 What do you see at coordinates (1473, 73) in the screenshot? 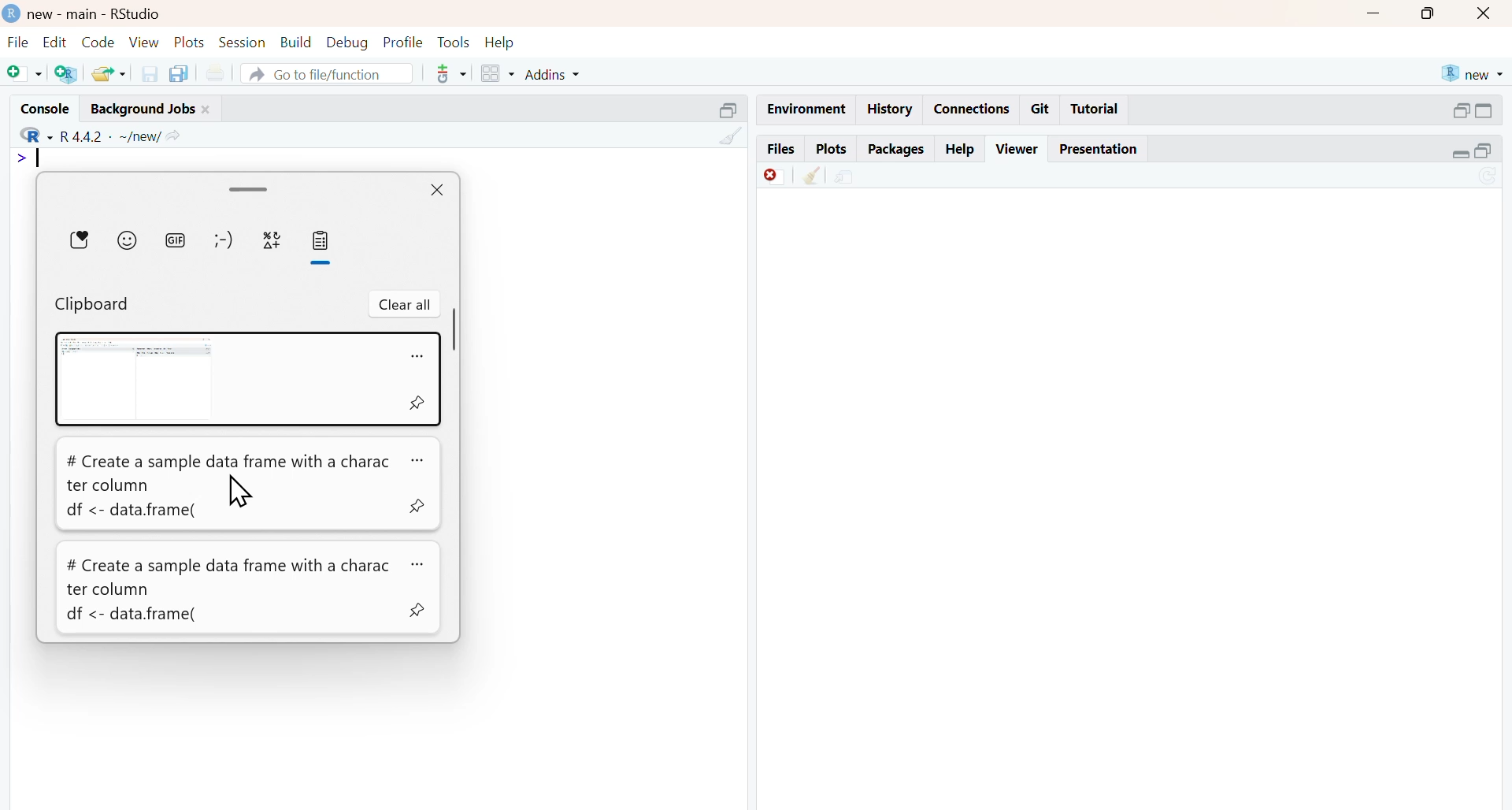
I see `new` at bounding box center [1473, 73].